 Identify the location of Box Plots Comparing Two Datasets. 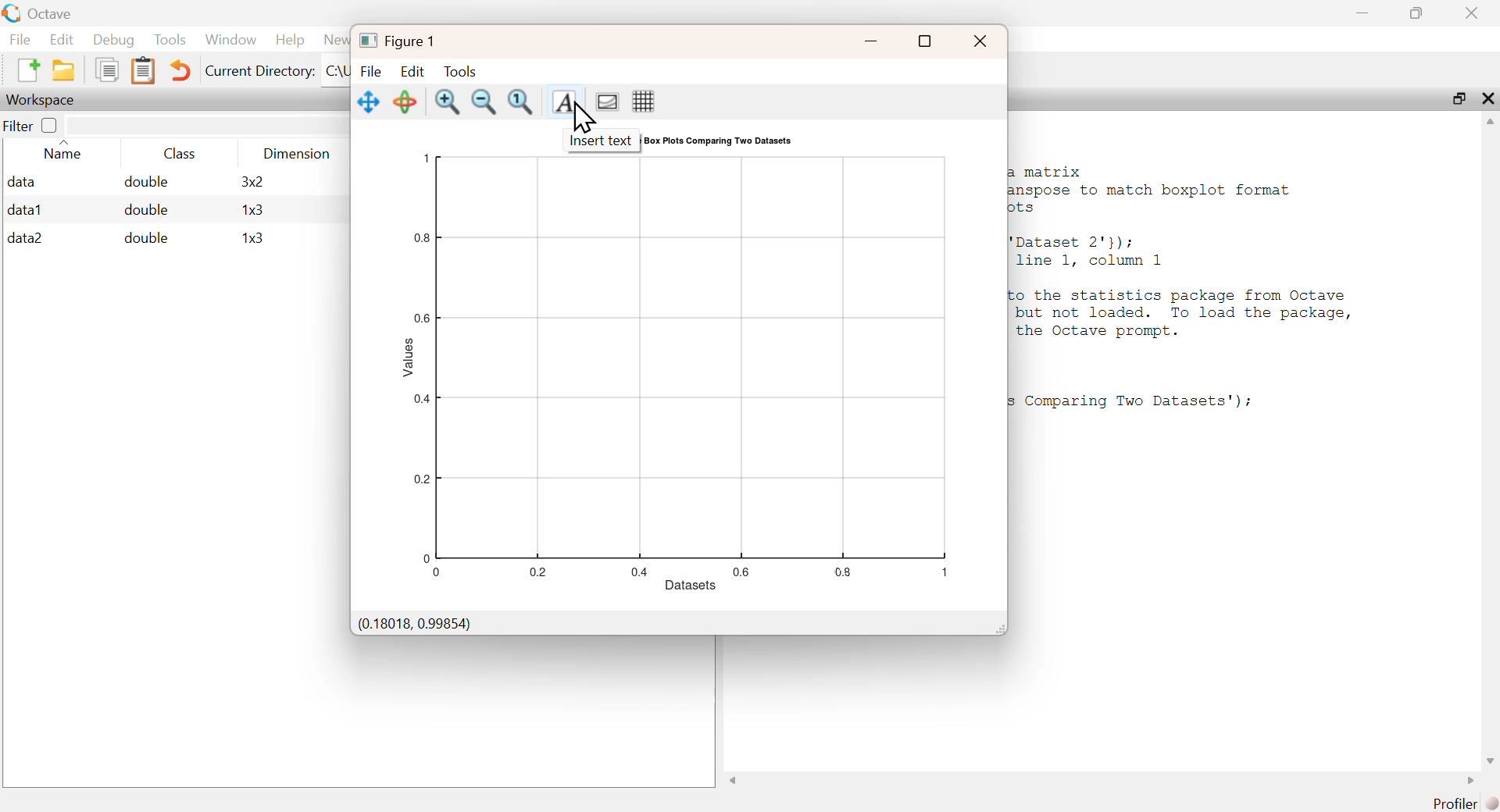
(719, 141).